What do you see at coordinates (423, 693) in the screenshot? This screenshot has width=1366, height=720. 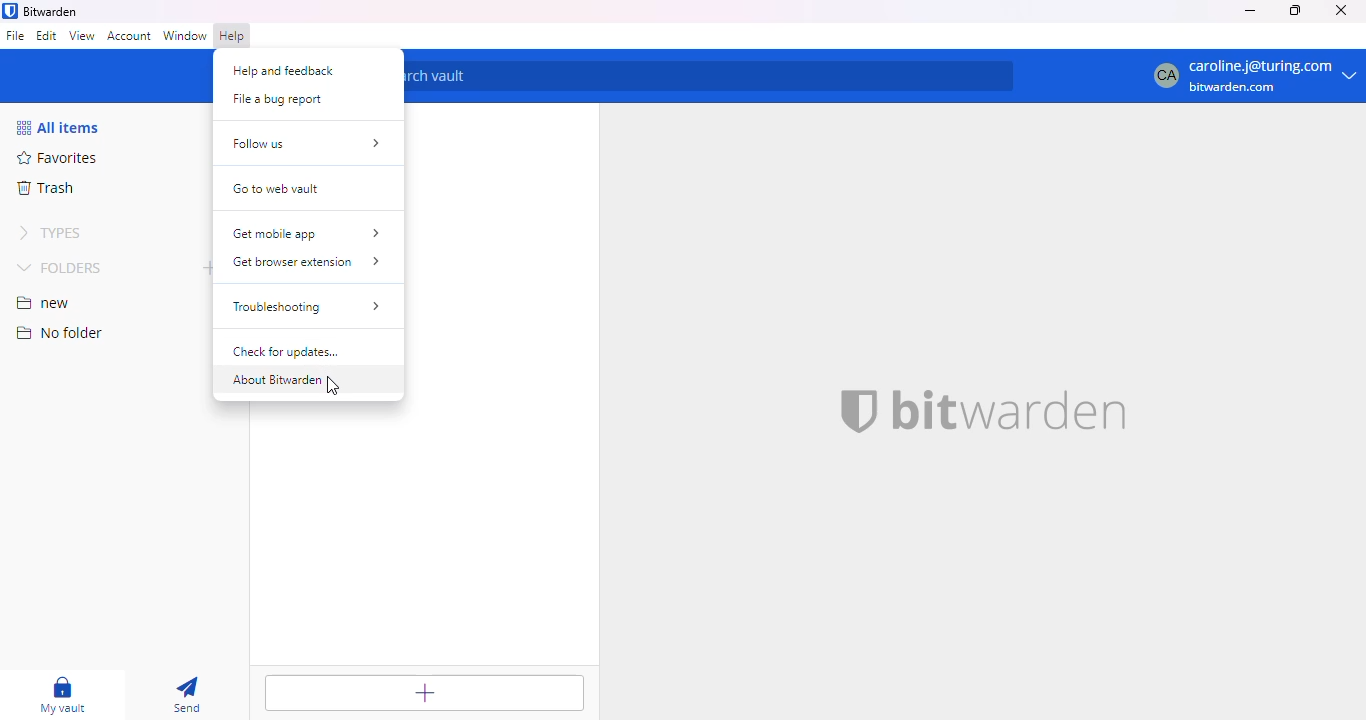 I see `add item` at bounding box center [423, 693].